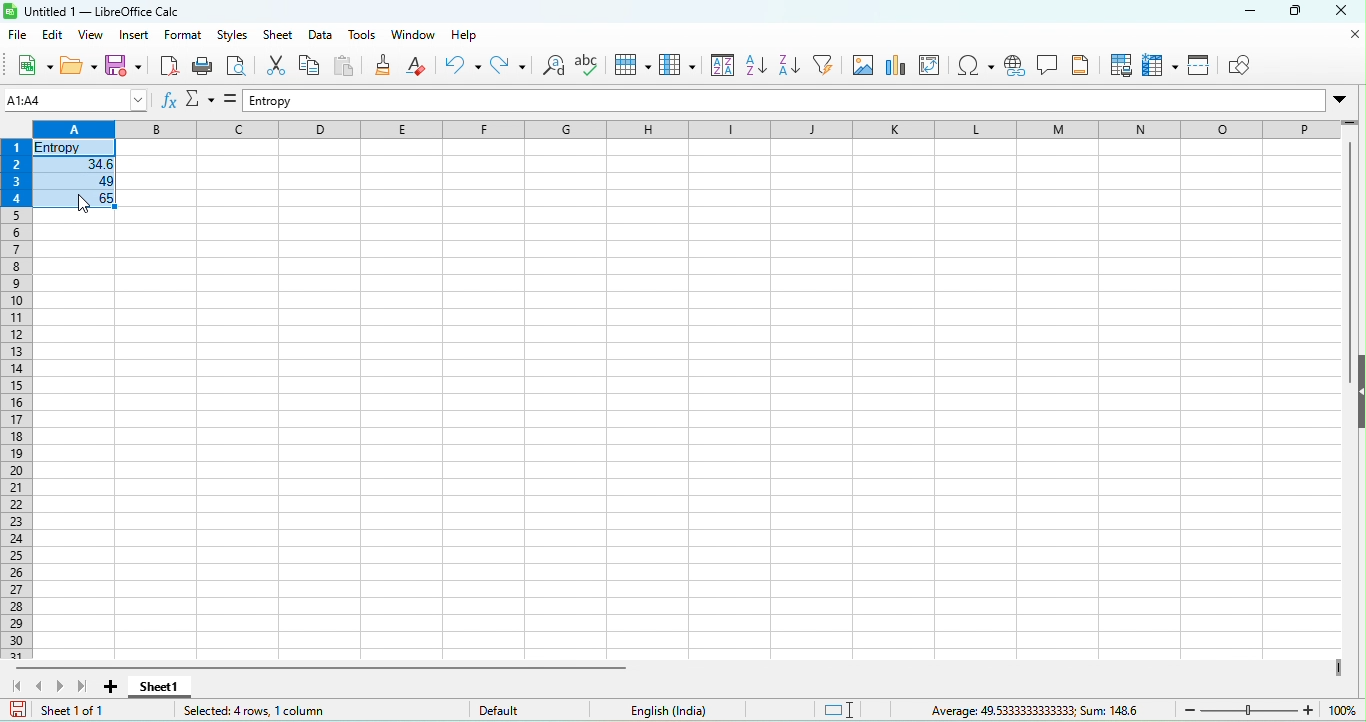  Describe the element at coordinates (414, 36) in the screenshot. I see `window` at that location.